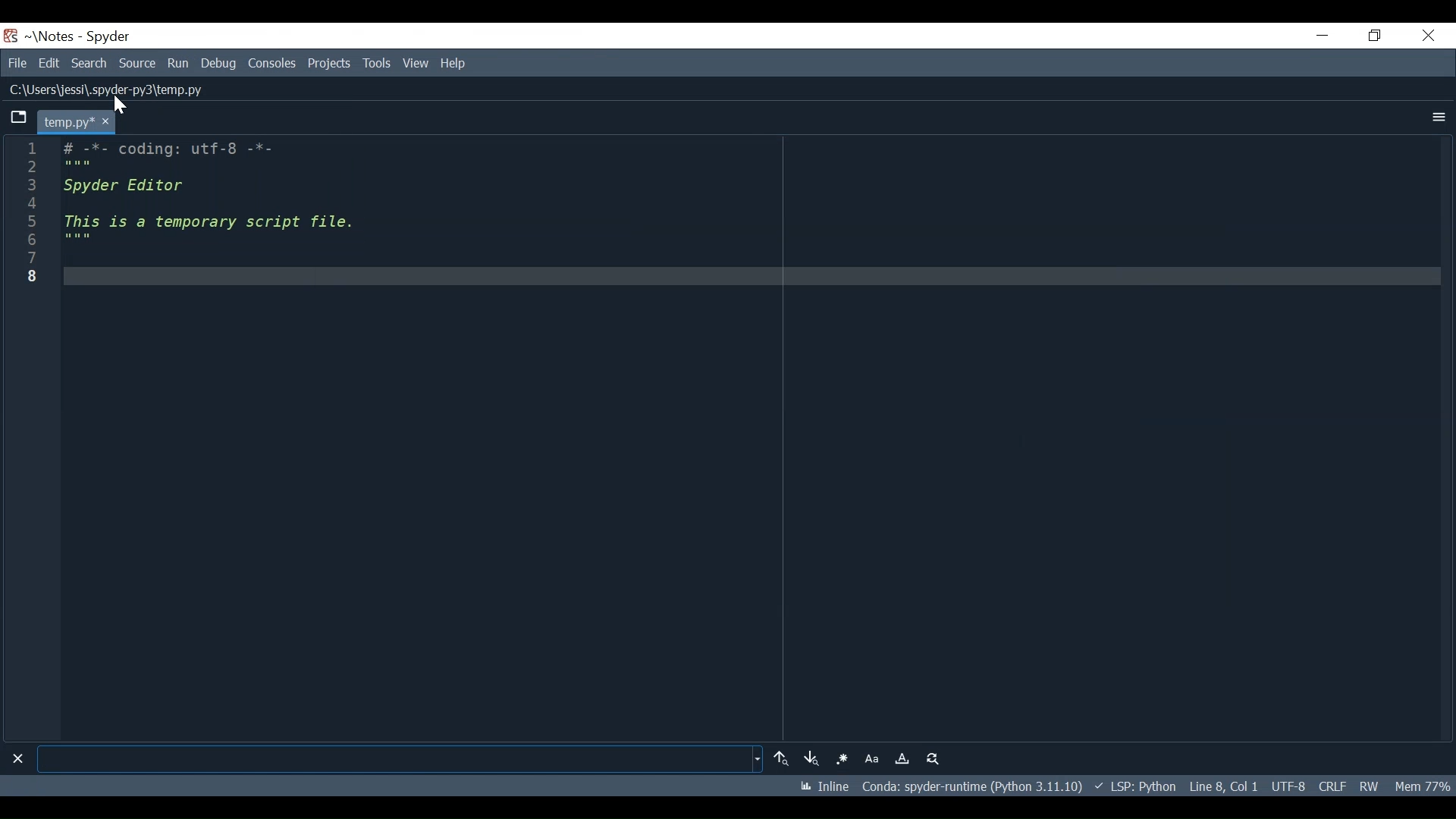  I want to click on Help, so click(451, 64).